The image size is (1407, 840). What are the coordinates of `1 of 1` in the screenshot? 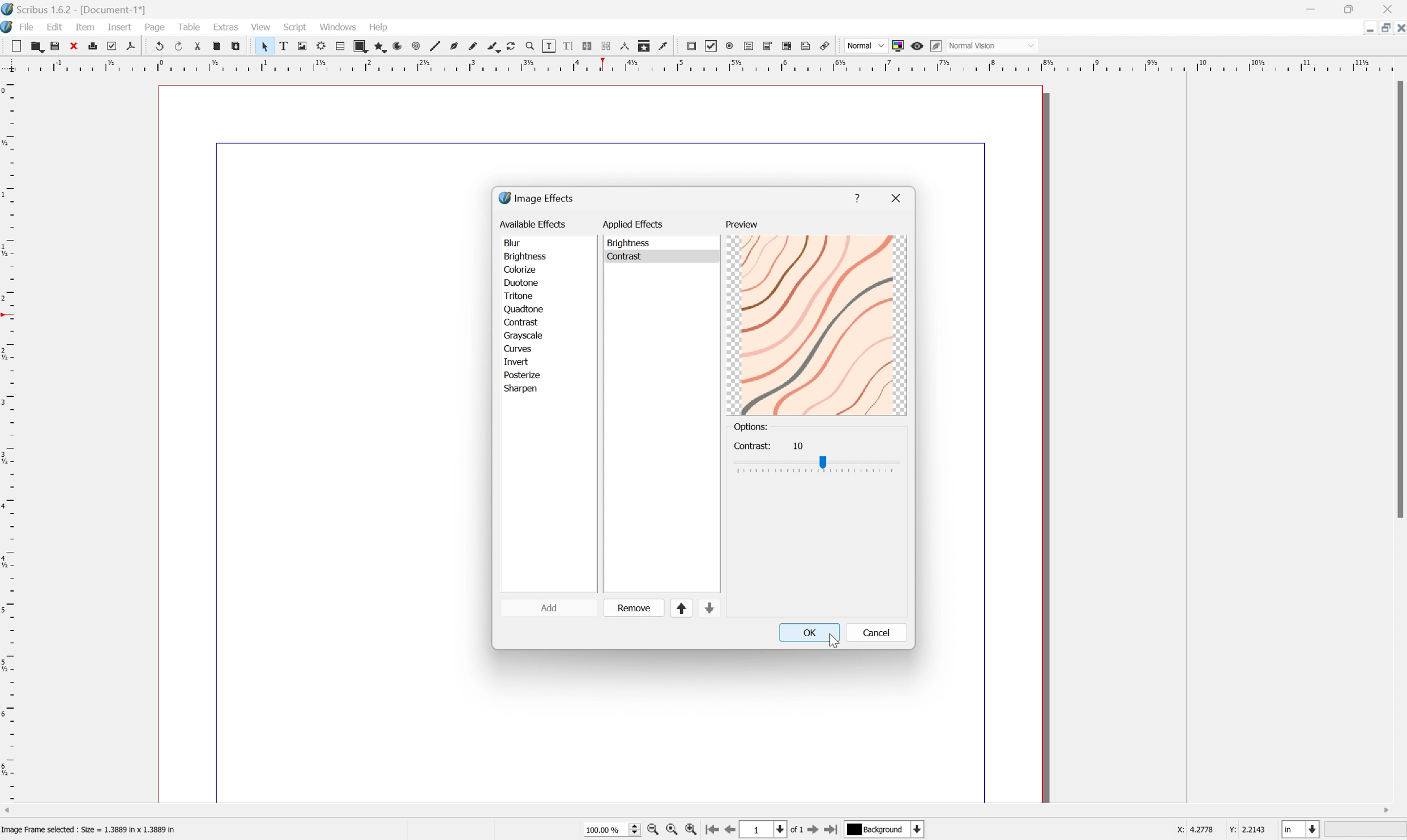 It's located at (775, 829).